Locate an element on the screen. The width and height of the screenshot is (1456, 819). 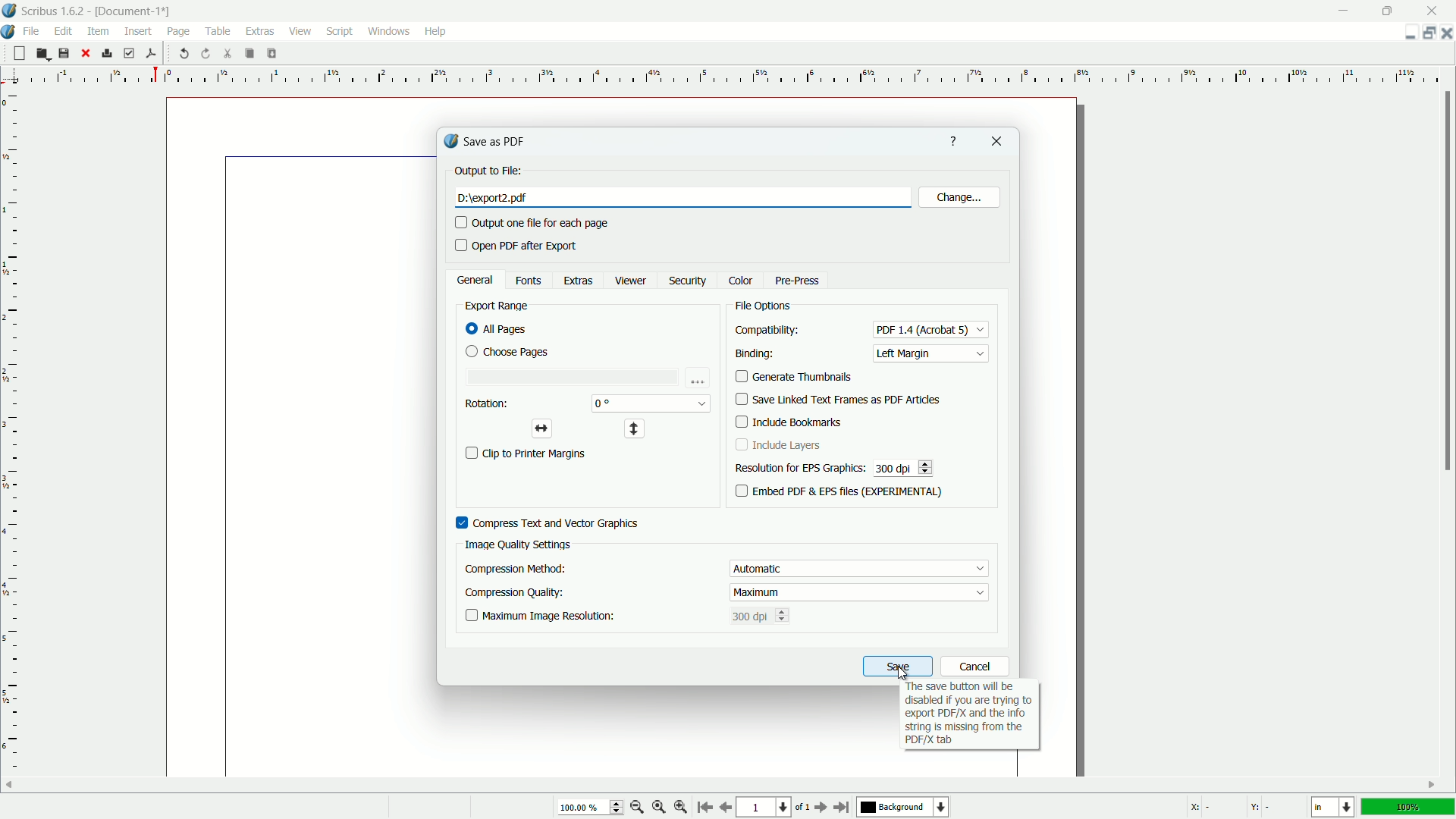
compression quality is located at coordinates (513, 592).